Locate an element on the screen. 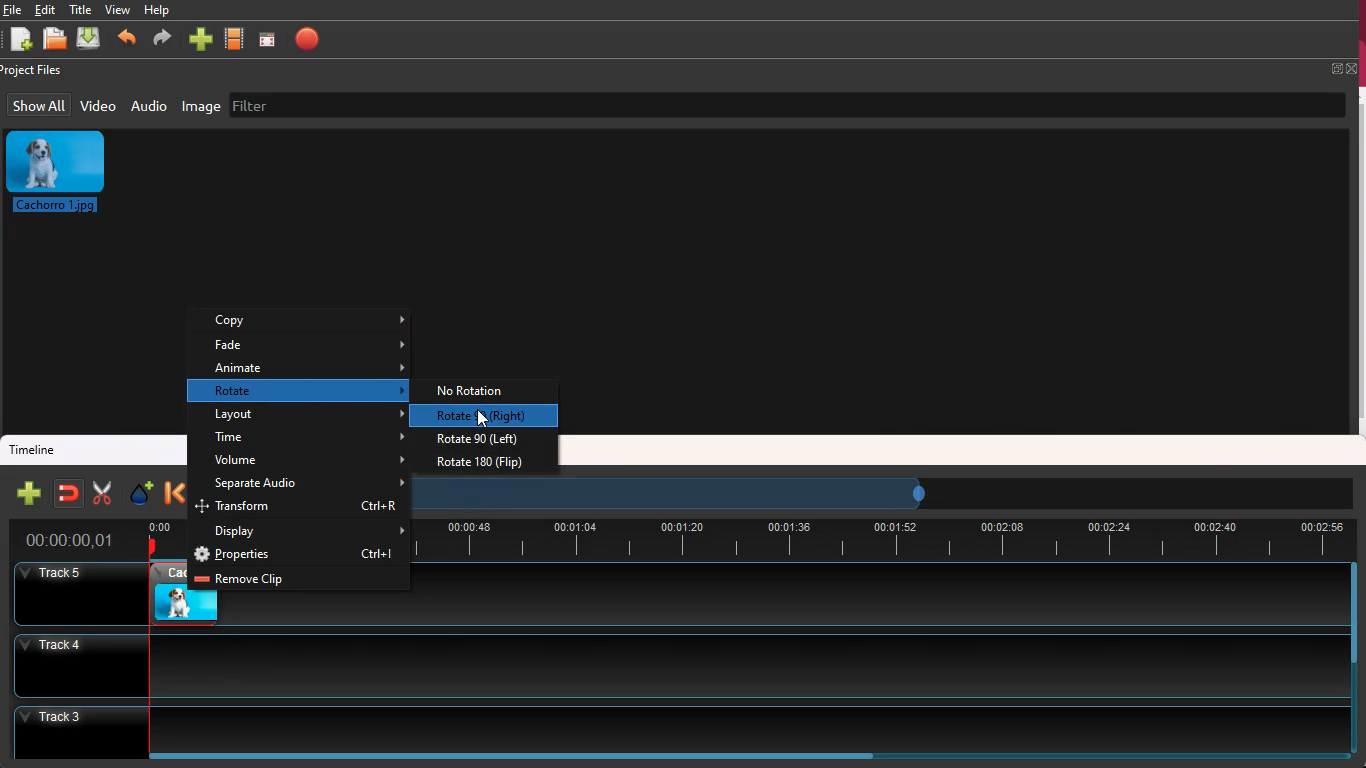 The image size is (1366, 768). audio is located at coordinates (151, 106).